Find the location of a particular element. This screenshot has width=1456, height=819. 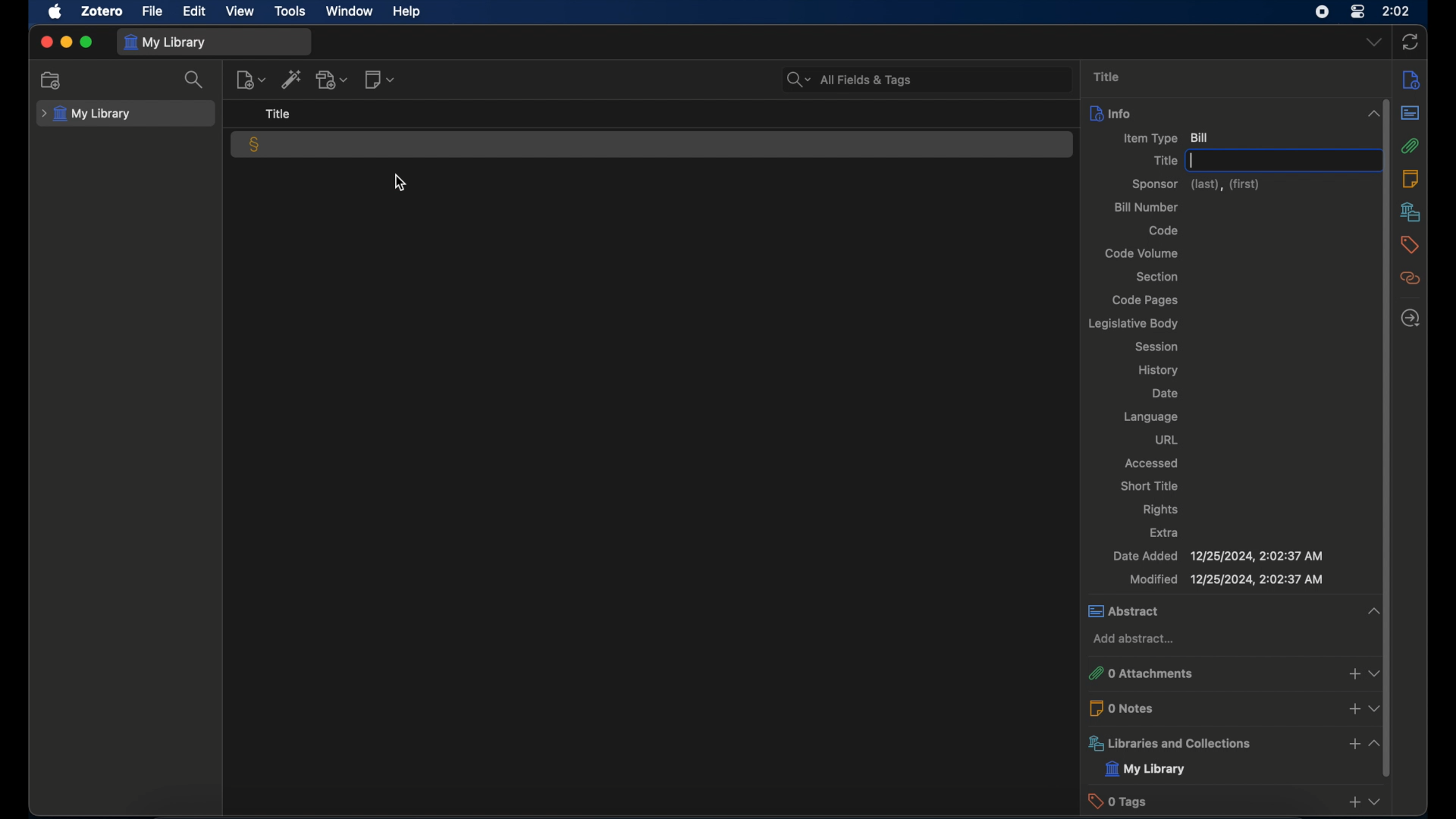

tools is located at coordinates (290, 10).